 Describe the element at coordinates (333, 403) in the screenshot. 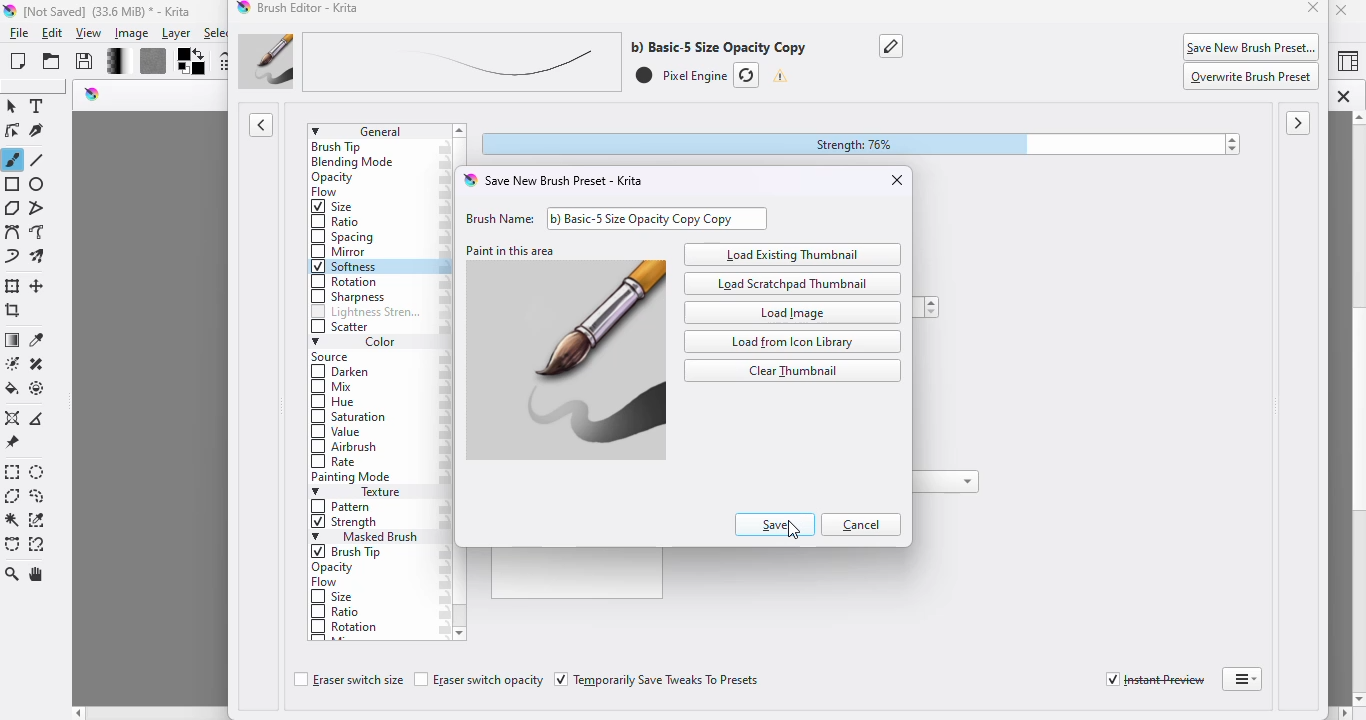

I see `hue` at that location.